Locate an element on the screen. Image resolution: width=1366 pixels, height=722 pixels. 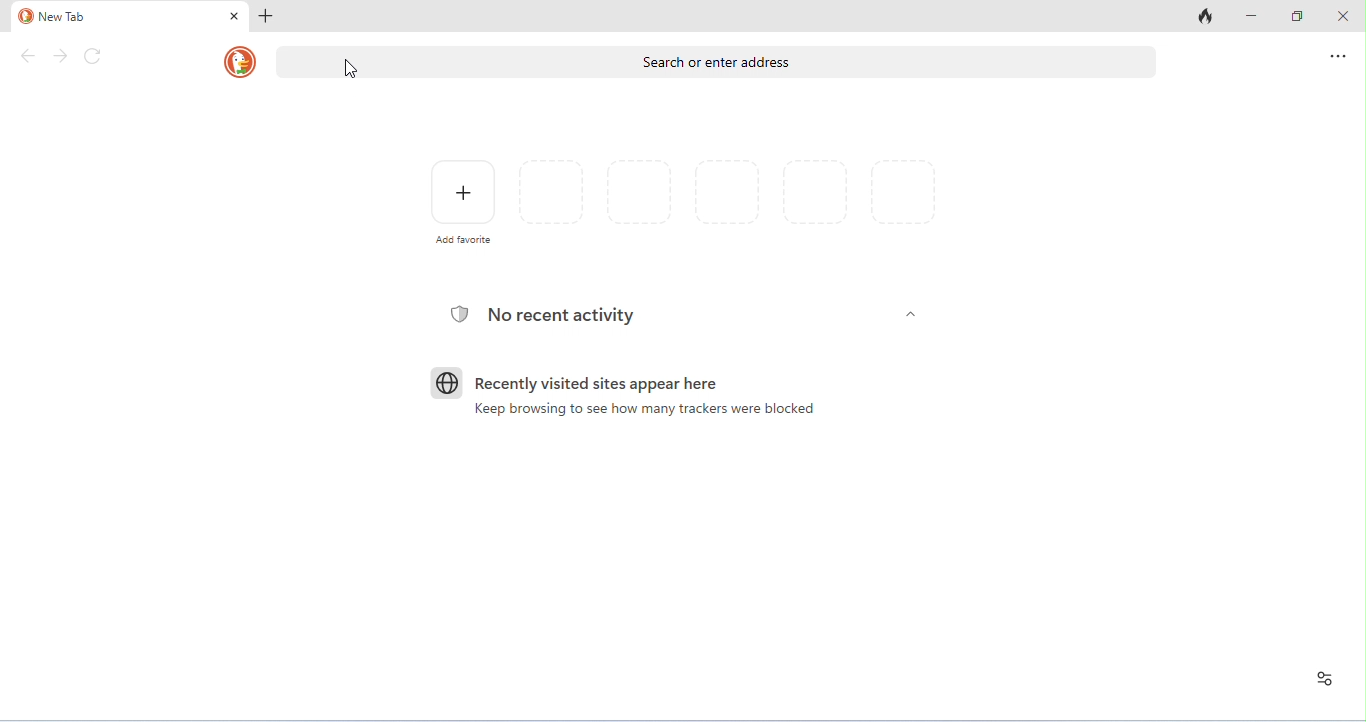
Cursor is located at coordinates (351, 69).